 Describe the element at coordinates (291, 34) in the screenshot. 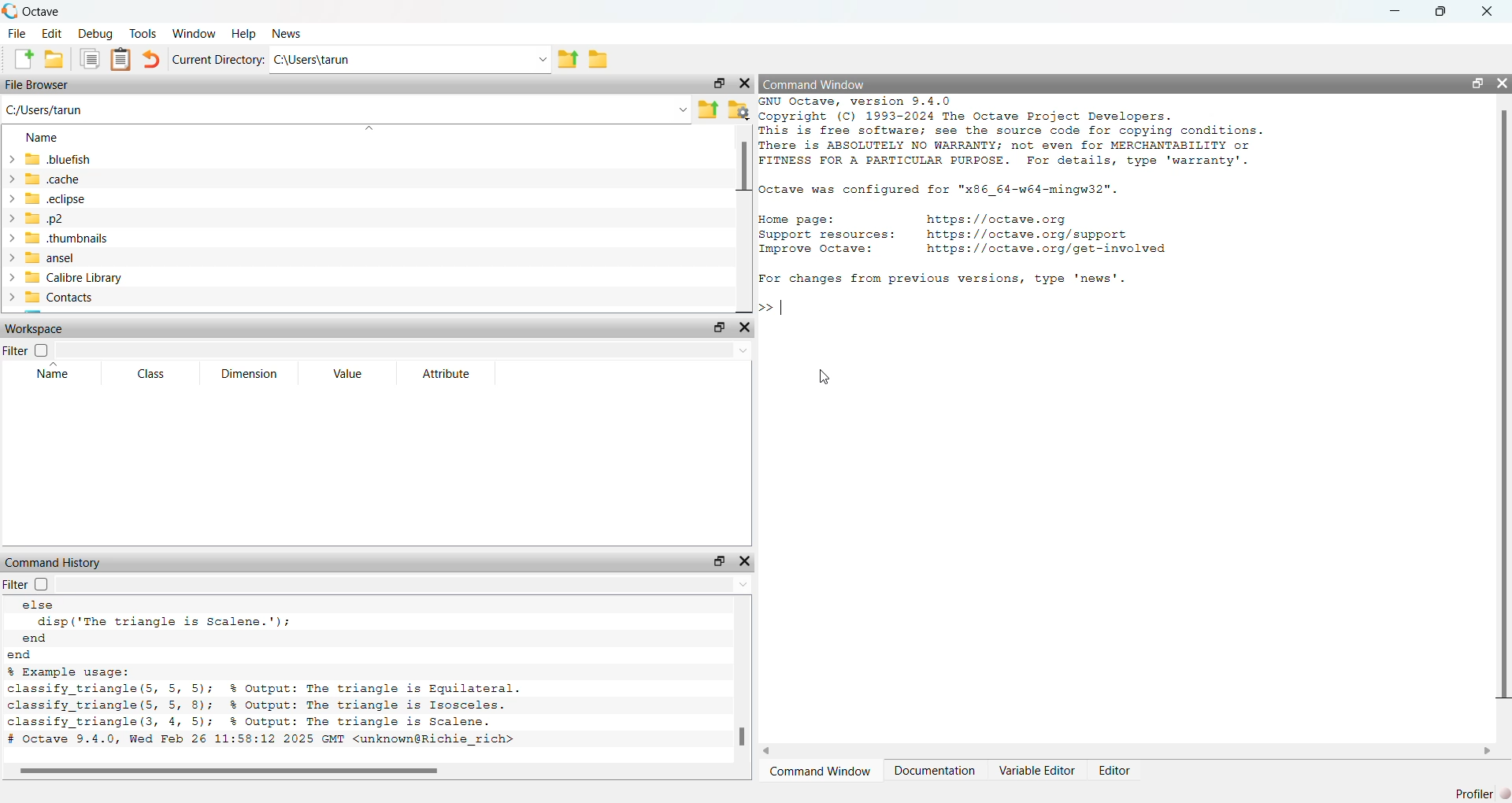

I see `news` at that location.